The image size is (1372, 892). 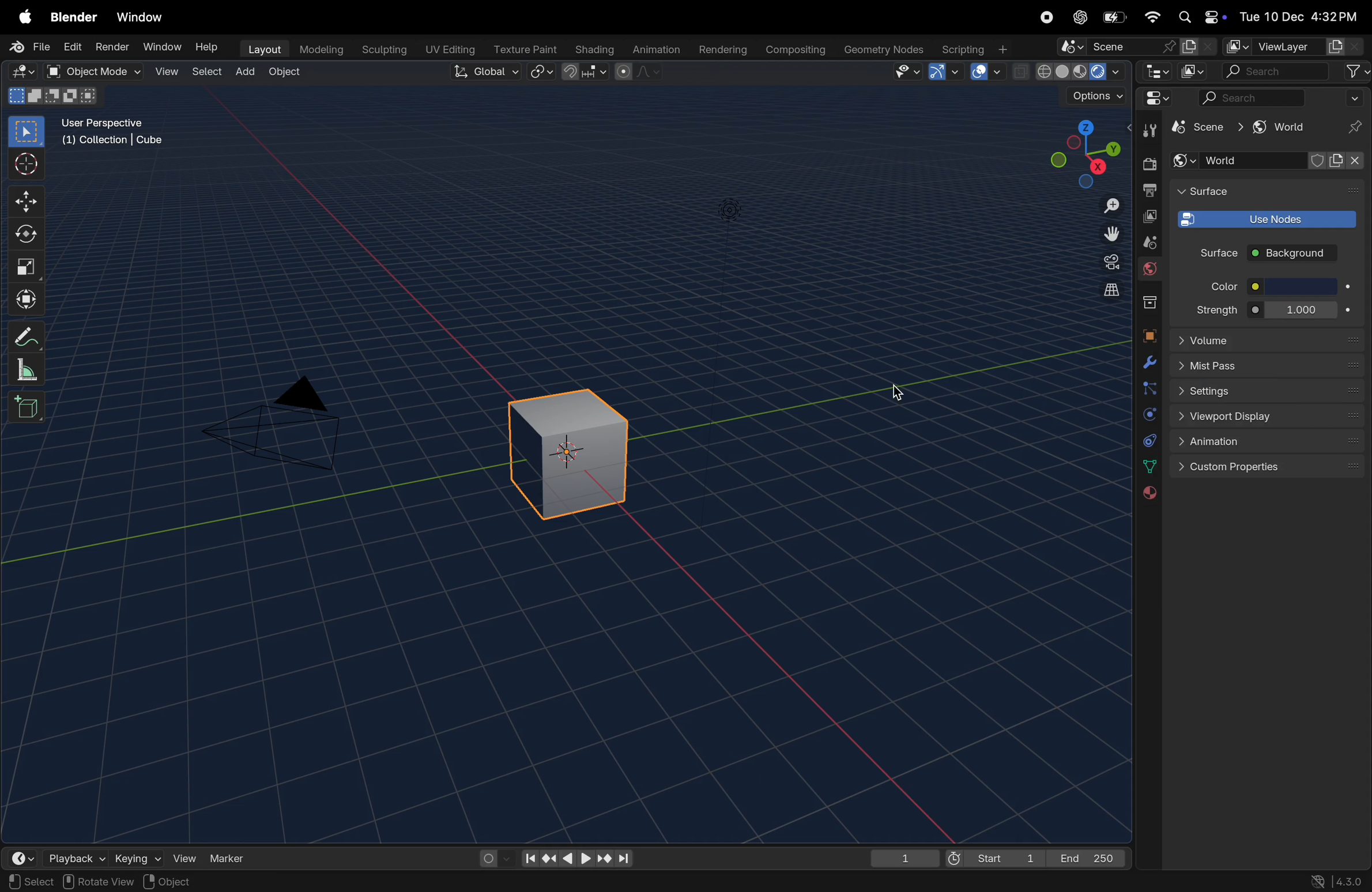 I want to click on View layer, so click(x=1292, y=47).